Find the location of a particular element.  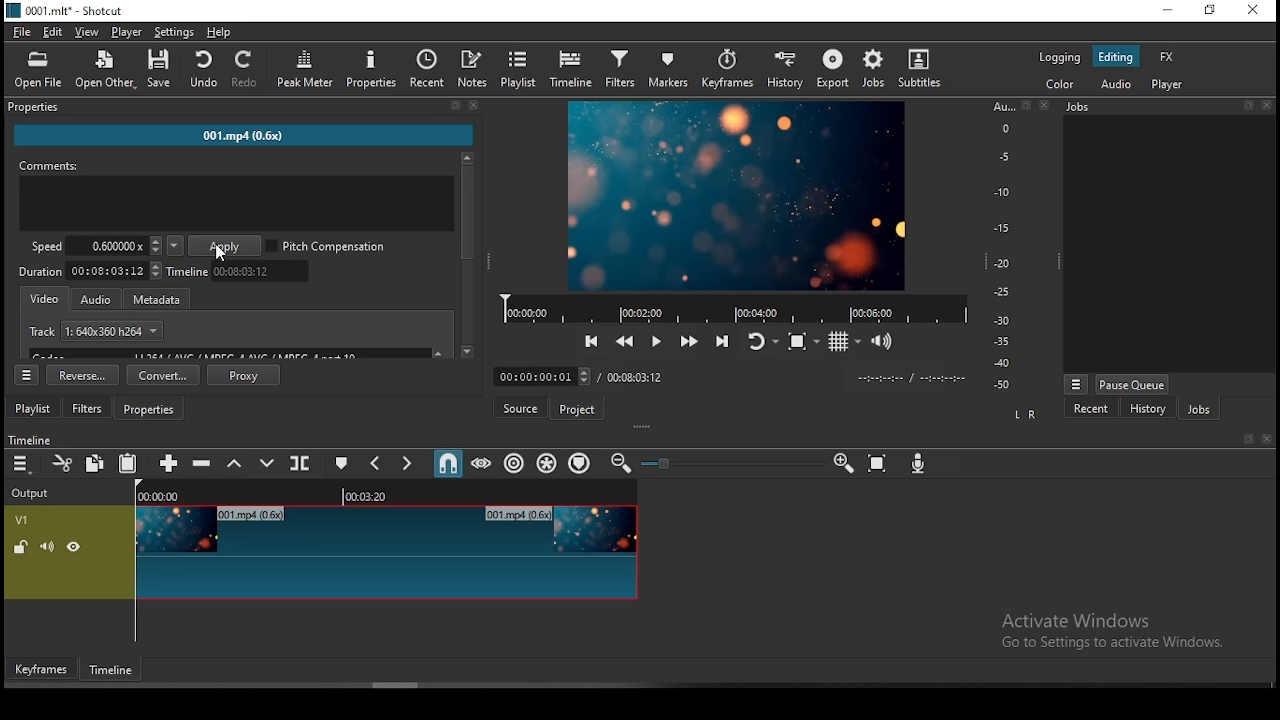

next marker is located at coordinates (407, 462).